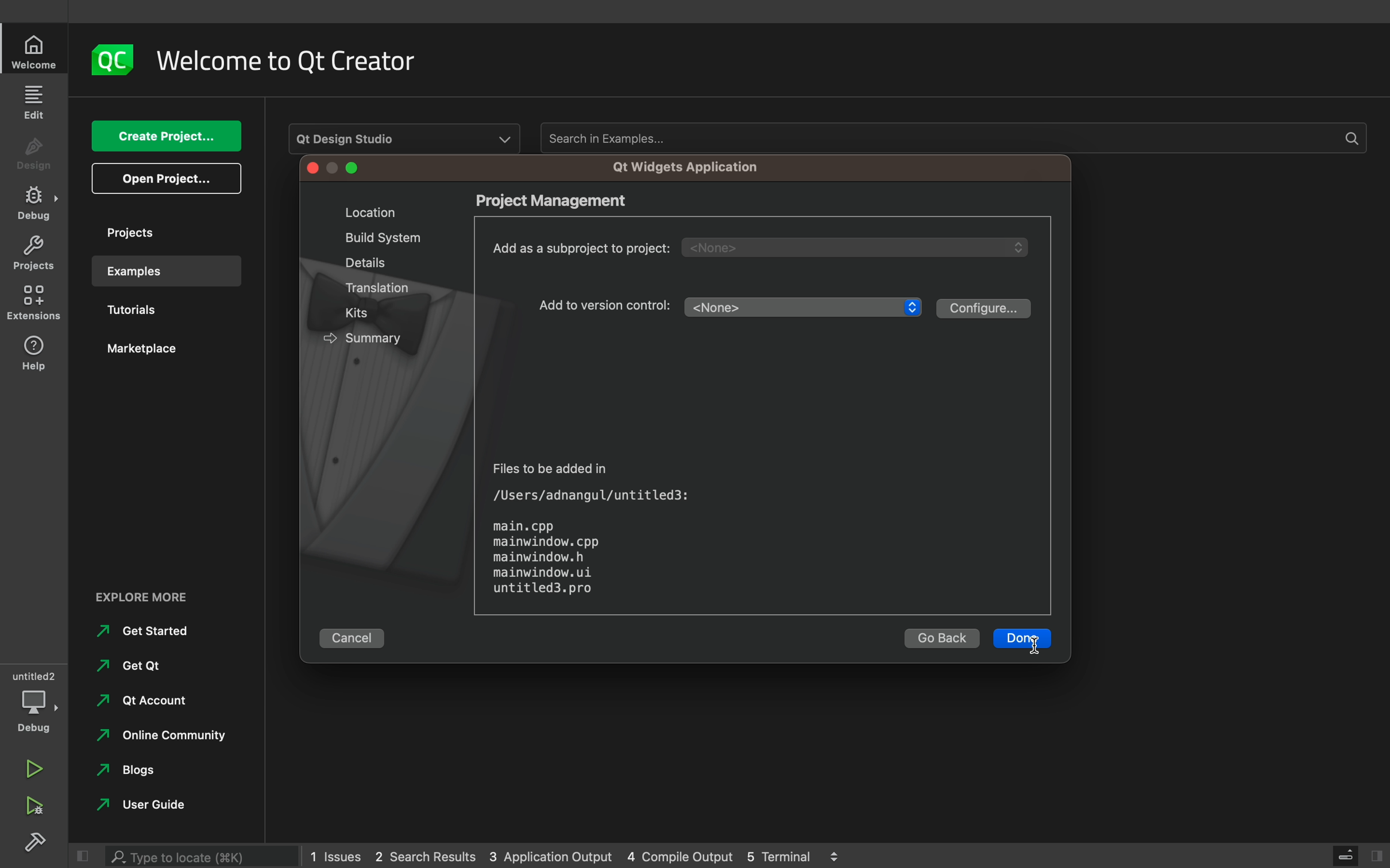 This screenshot has height=868, width=1390. Describe the element at coordinates (364, 212) in the screenshot. I see `location` at that location.